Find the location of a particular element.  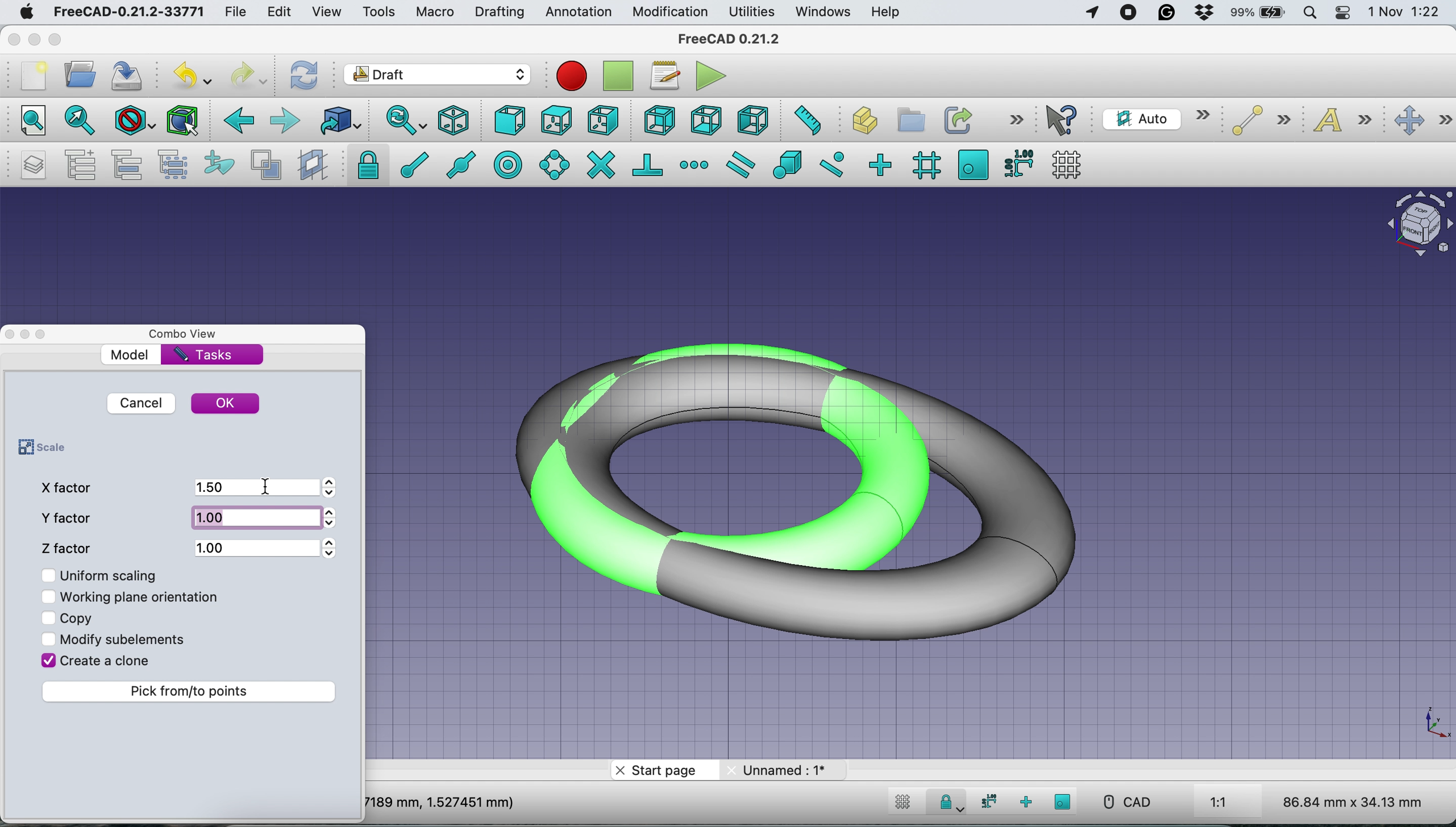

forward is located at coordinates (286, 122).